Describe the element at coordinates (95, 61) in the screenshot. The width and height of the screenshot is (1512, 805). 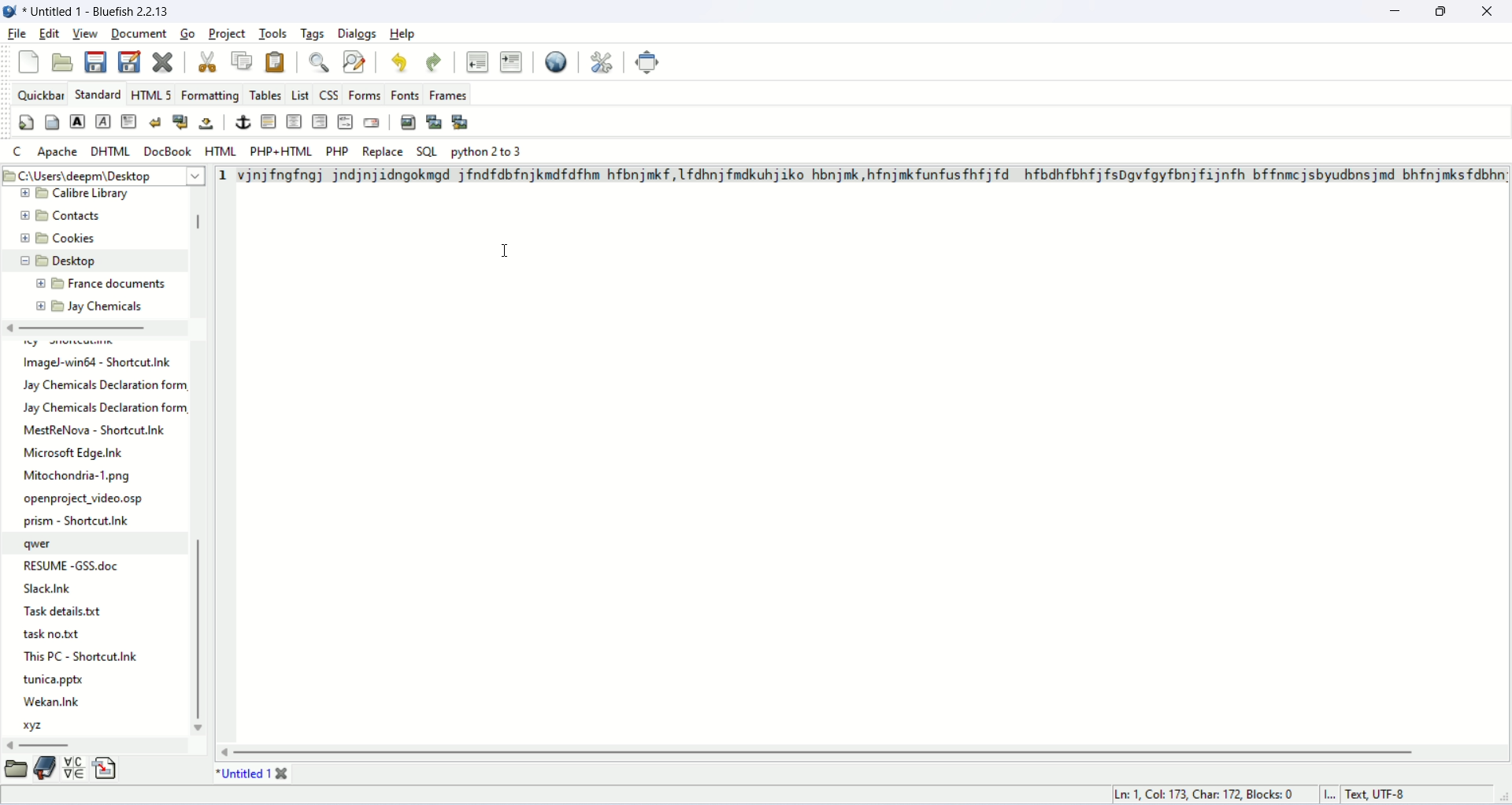
I see `save` at that location.